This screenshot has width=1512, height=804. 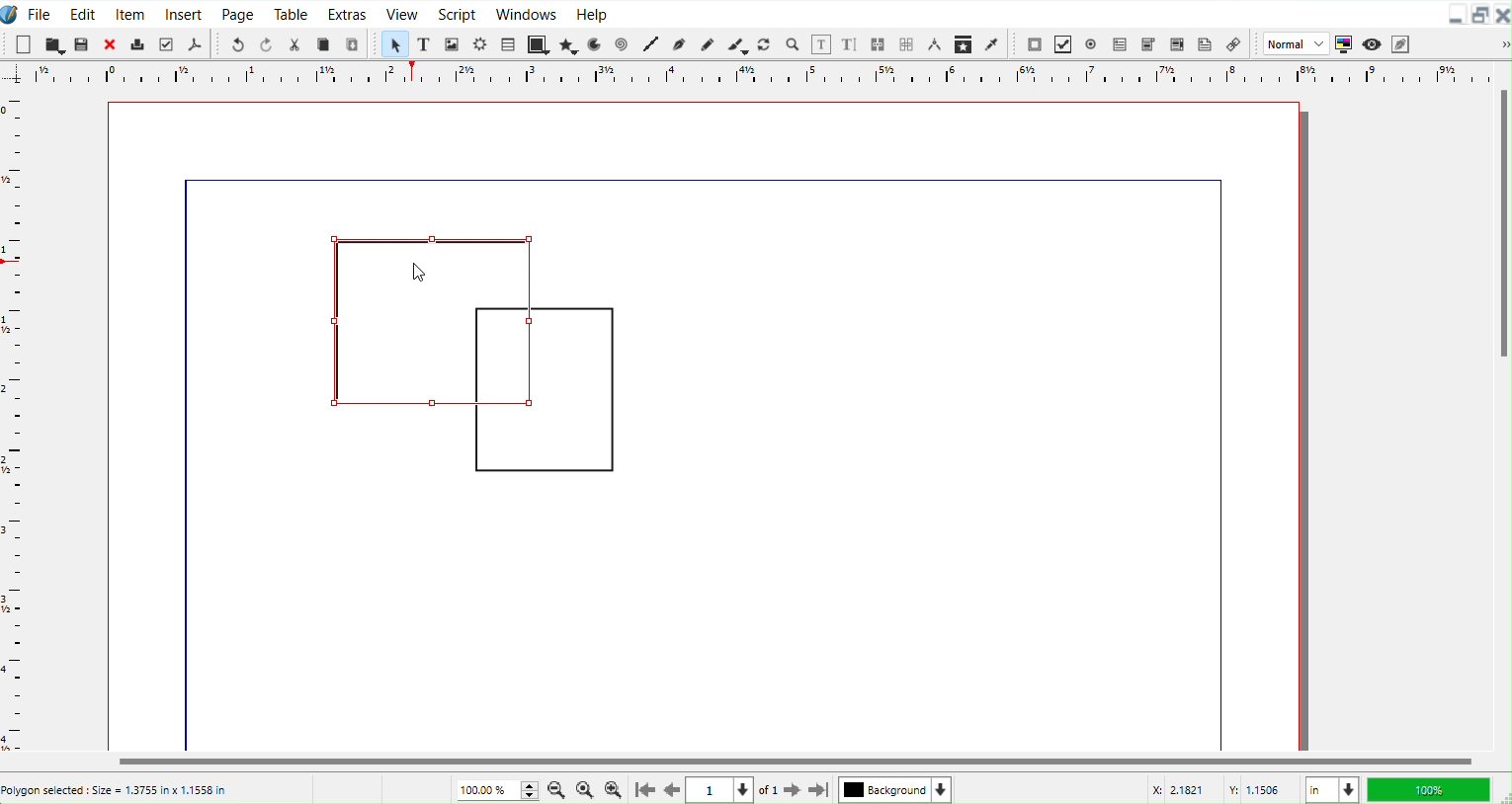 I want to click on line, so click(x=704, y=179).